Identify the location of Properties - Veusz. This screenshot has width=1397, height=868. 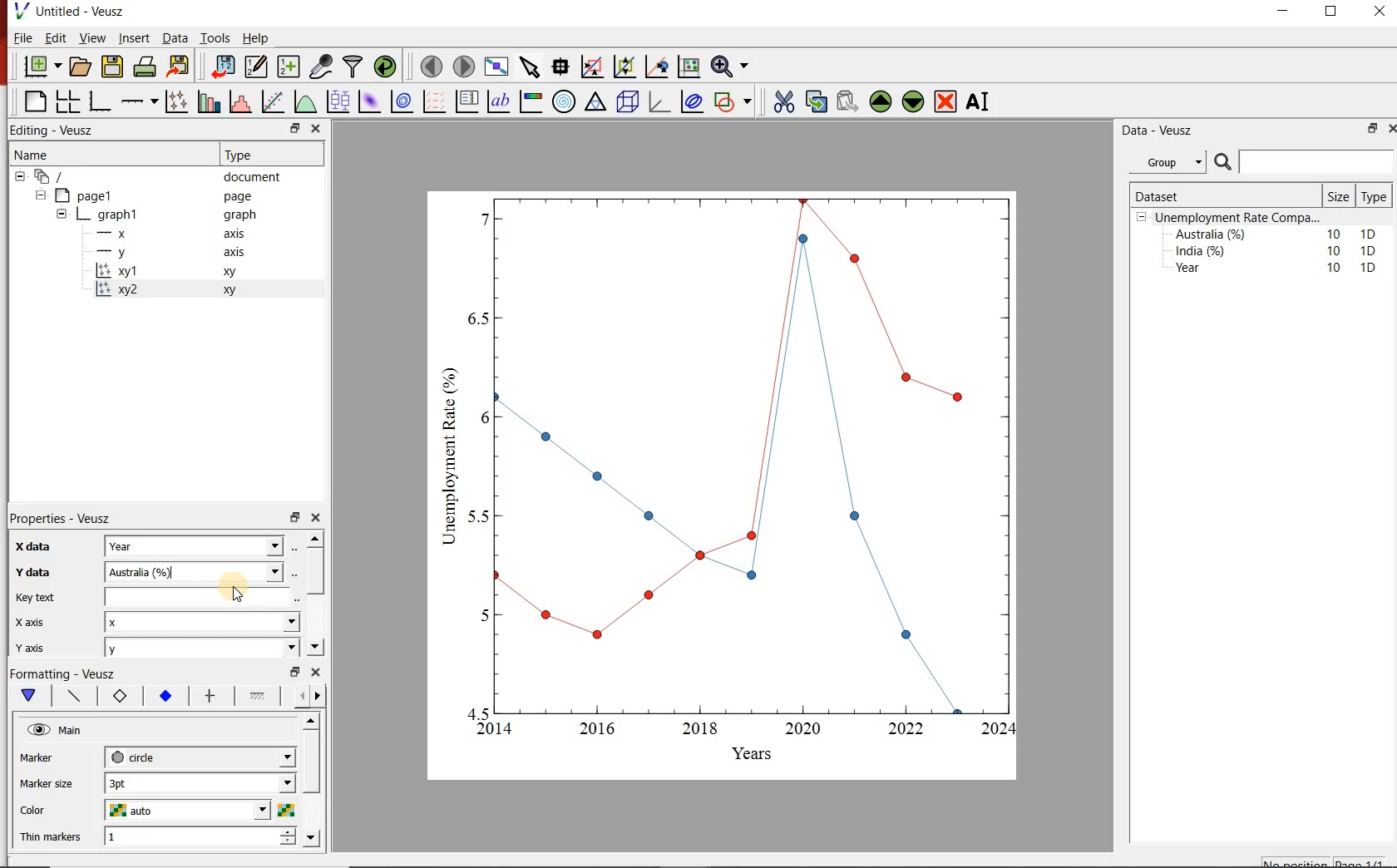
(63, 520).